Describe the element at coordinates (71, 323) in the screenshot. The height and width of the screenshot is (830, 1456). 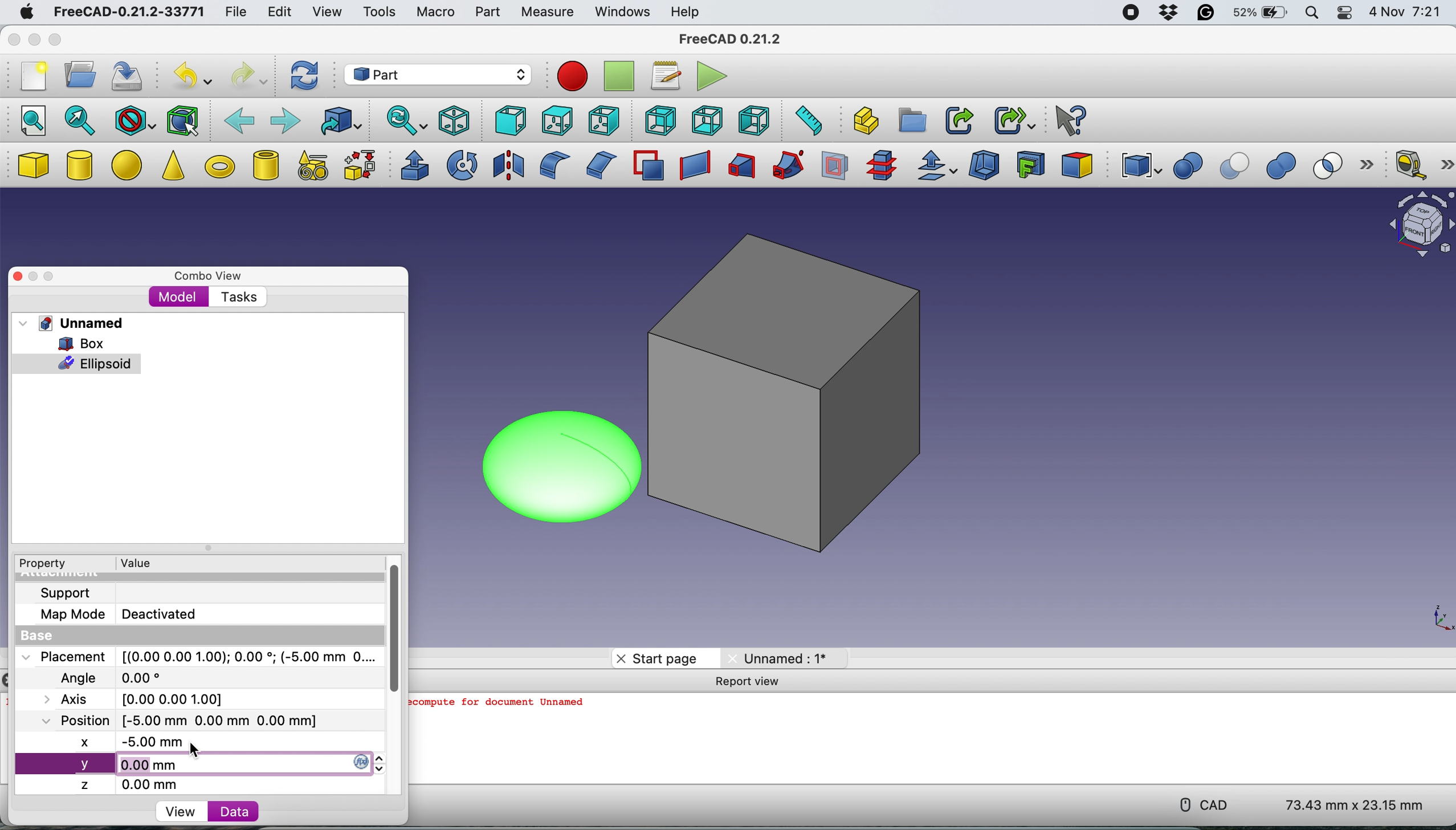
I see `unnamed` at that location.